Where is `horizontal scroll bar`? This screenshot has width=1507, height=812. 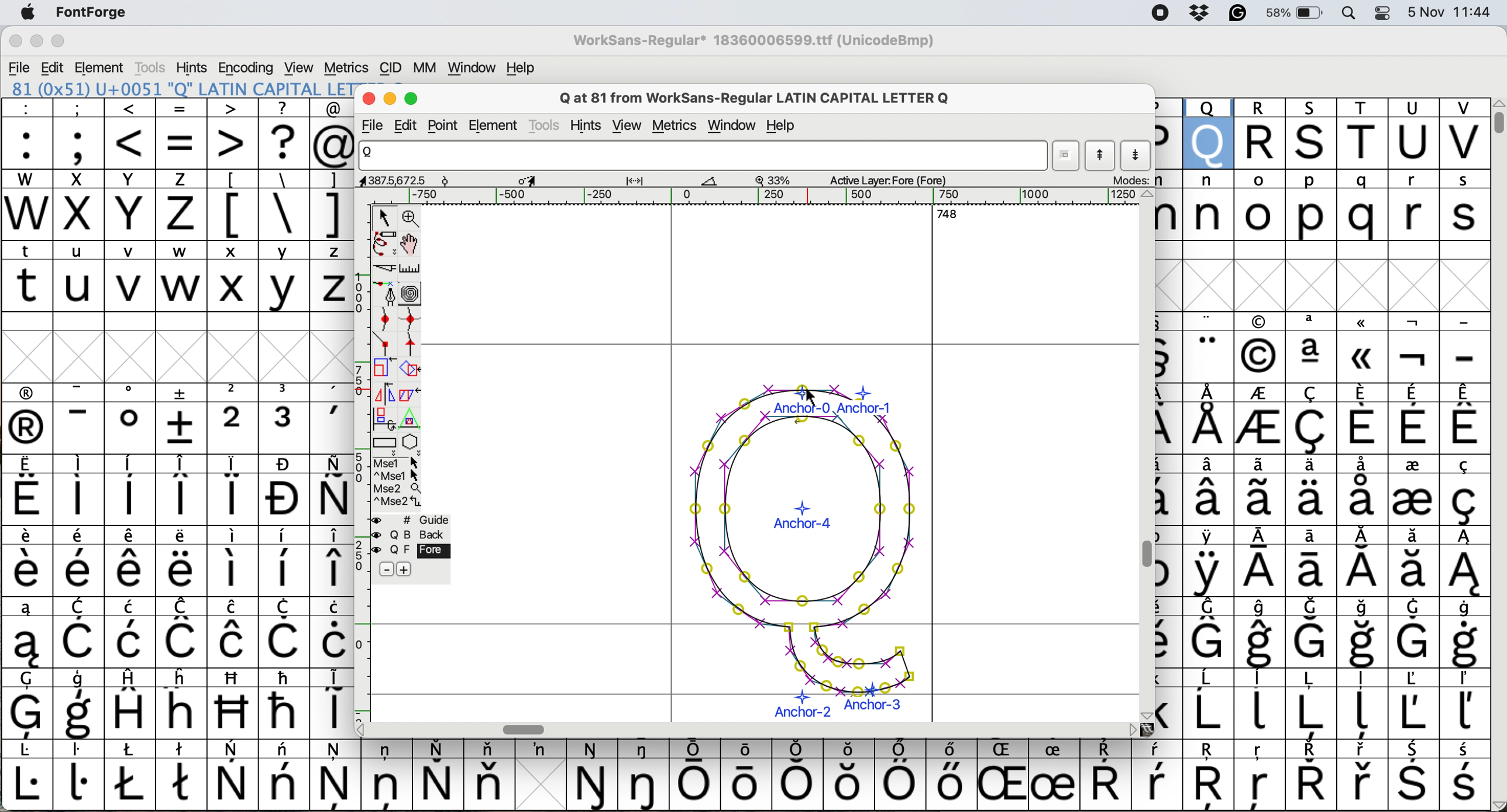 horizontal scroll bar is located at coordinates (527, 728).